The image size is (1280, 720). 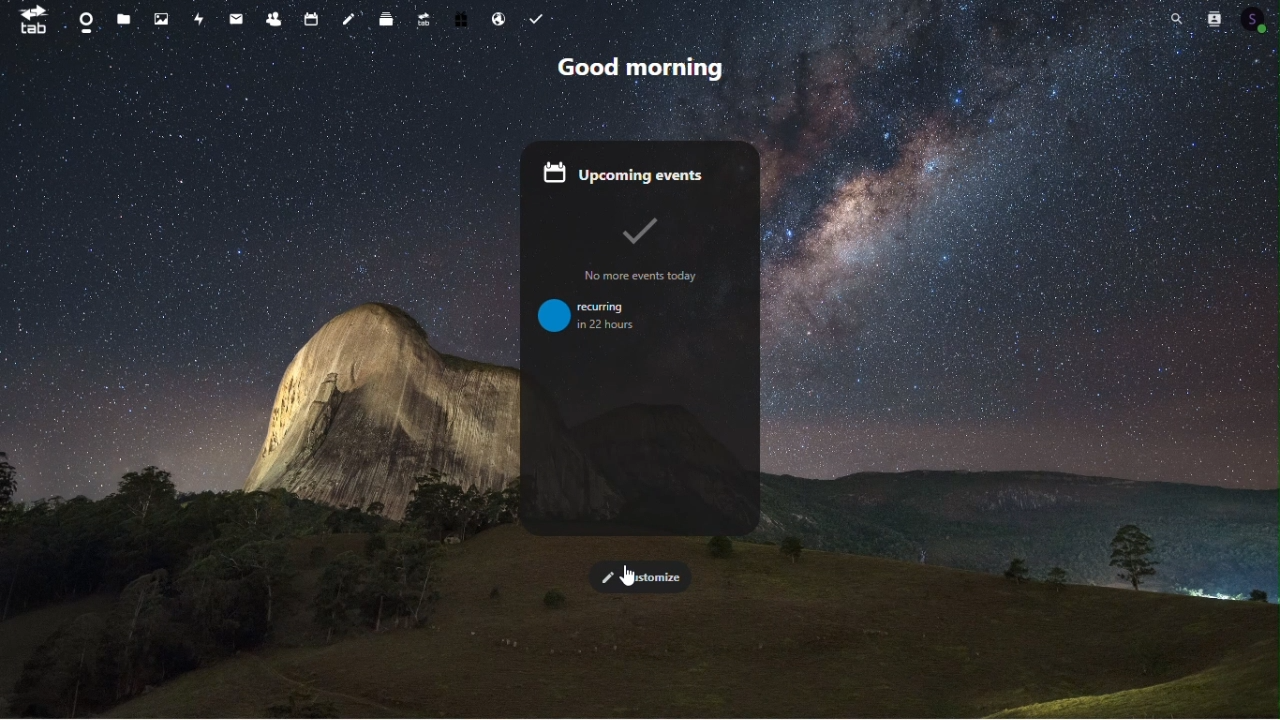 What do you see at coordinates (424, 17) in the screenshot?
I see `Upgrade` at bounding box center [424, 17].